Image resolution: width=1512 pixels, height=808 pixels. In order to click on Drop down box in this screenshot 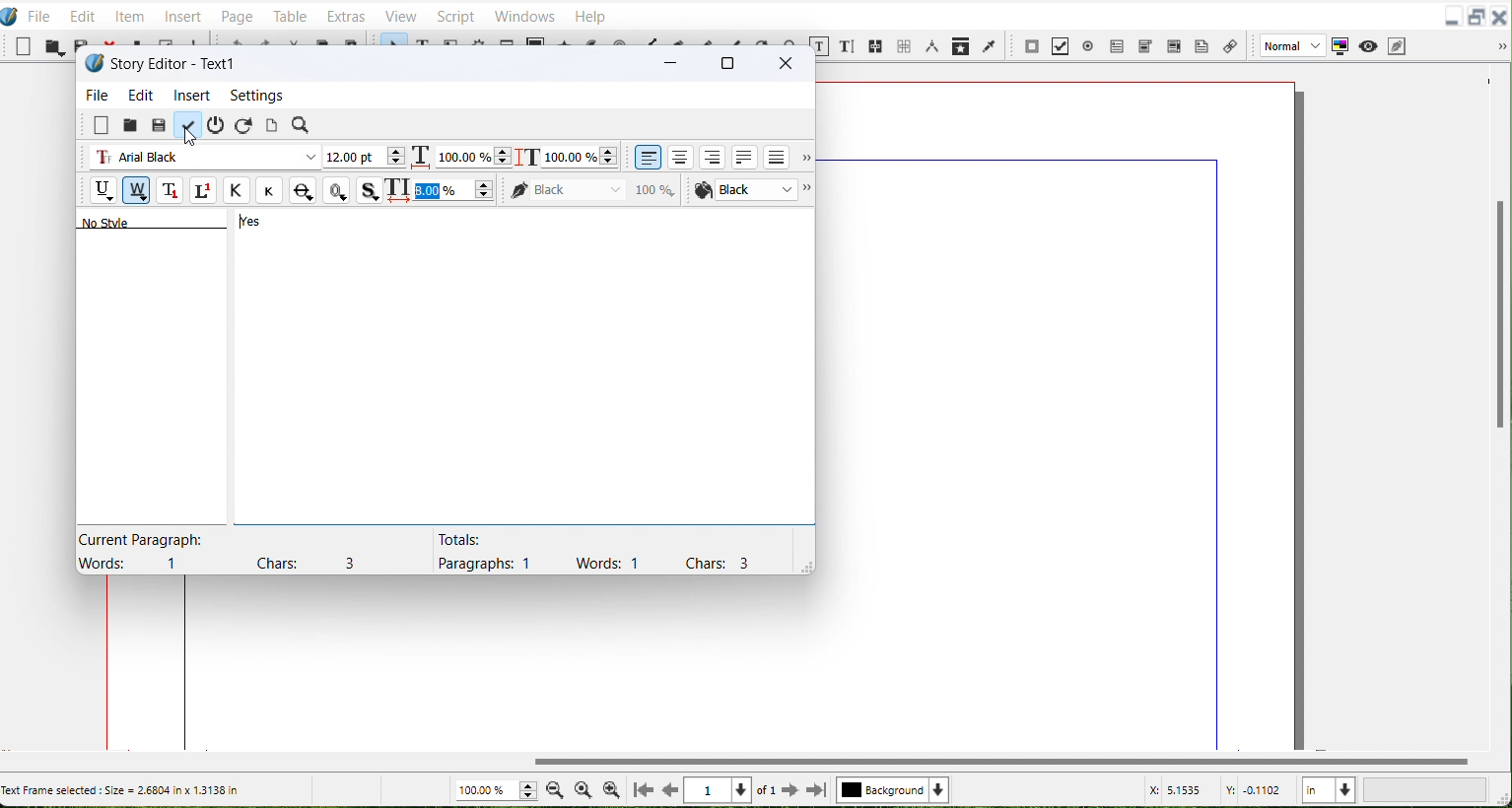, I will do `click(1502, 47)`.